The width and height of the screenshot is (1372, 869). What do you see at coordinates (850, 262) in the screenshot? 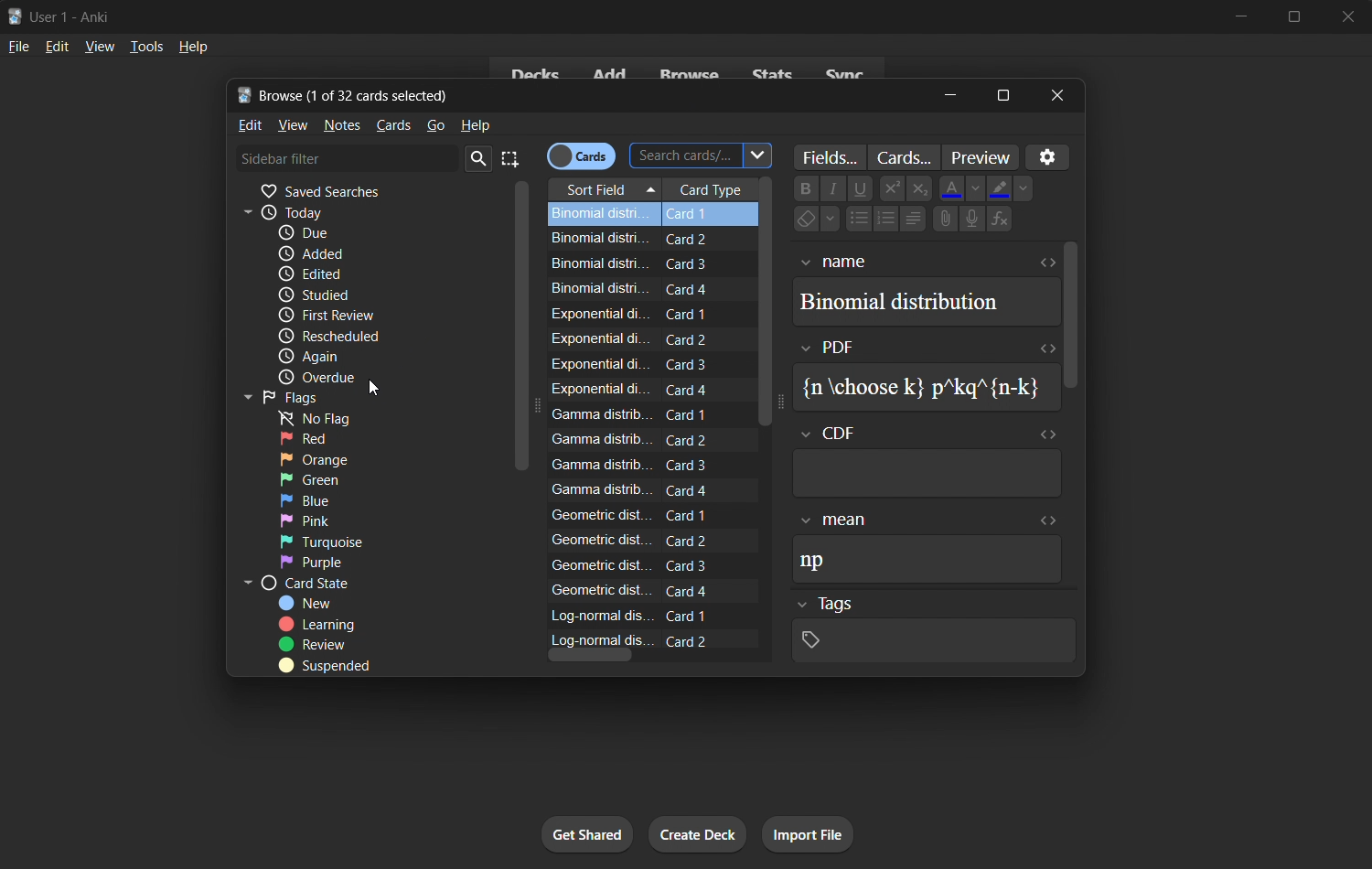
I see `name` at bounding box center [850, 262].